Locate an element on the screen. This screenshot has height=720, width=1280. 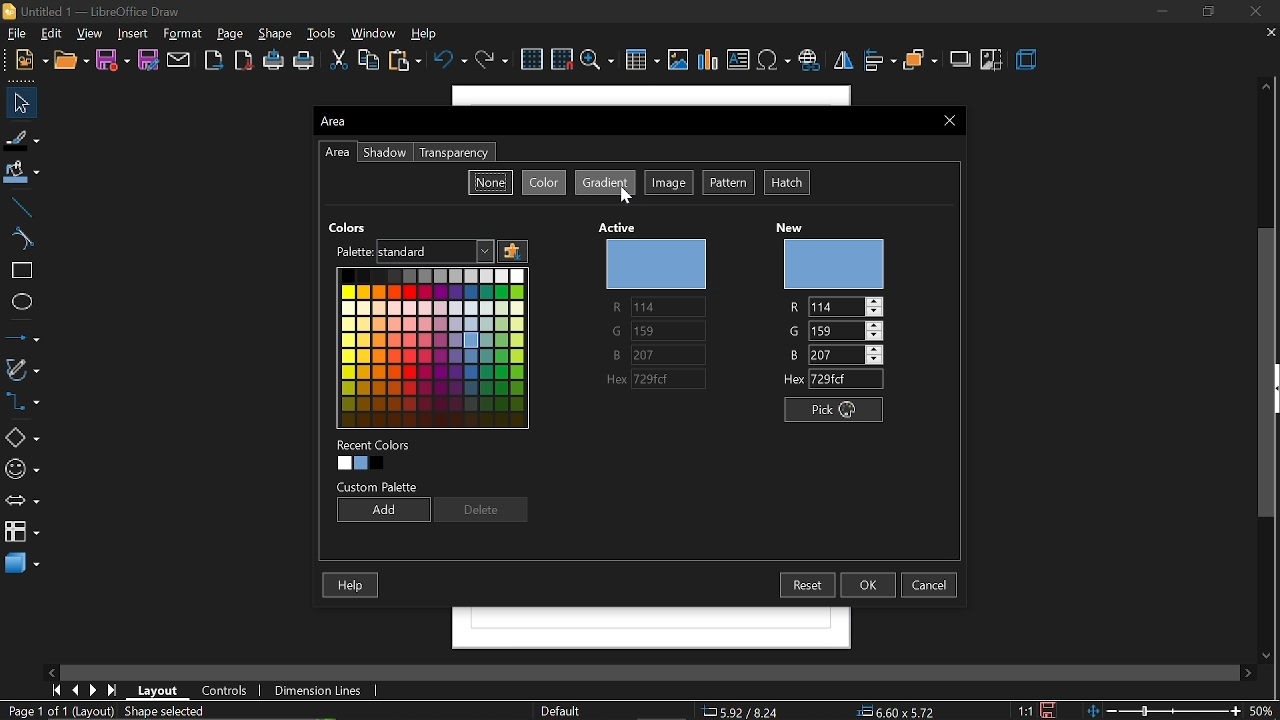
Pattern is located at coordinates (730, 183).